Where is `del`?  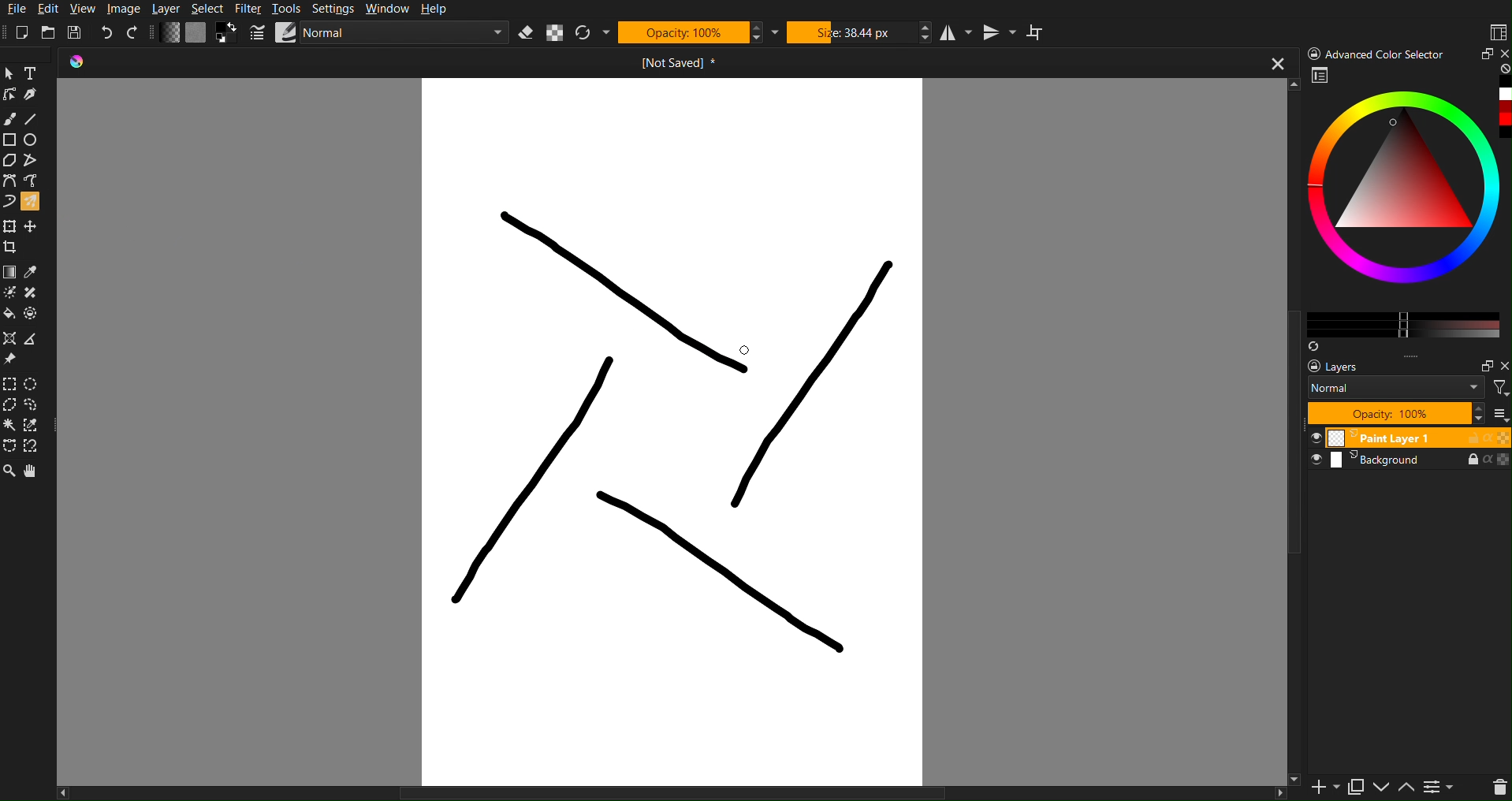
del is located at coordinates (1493, 788).